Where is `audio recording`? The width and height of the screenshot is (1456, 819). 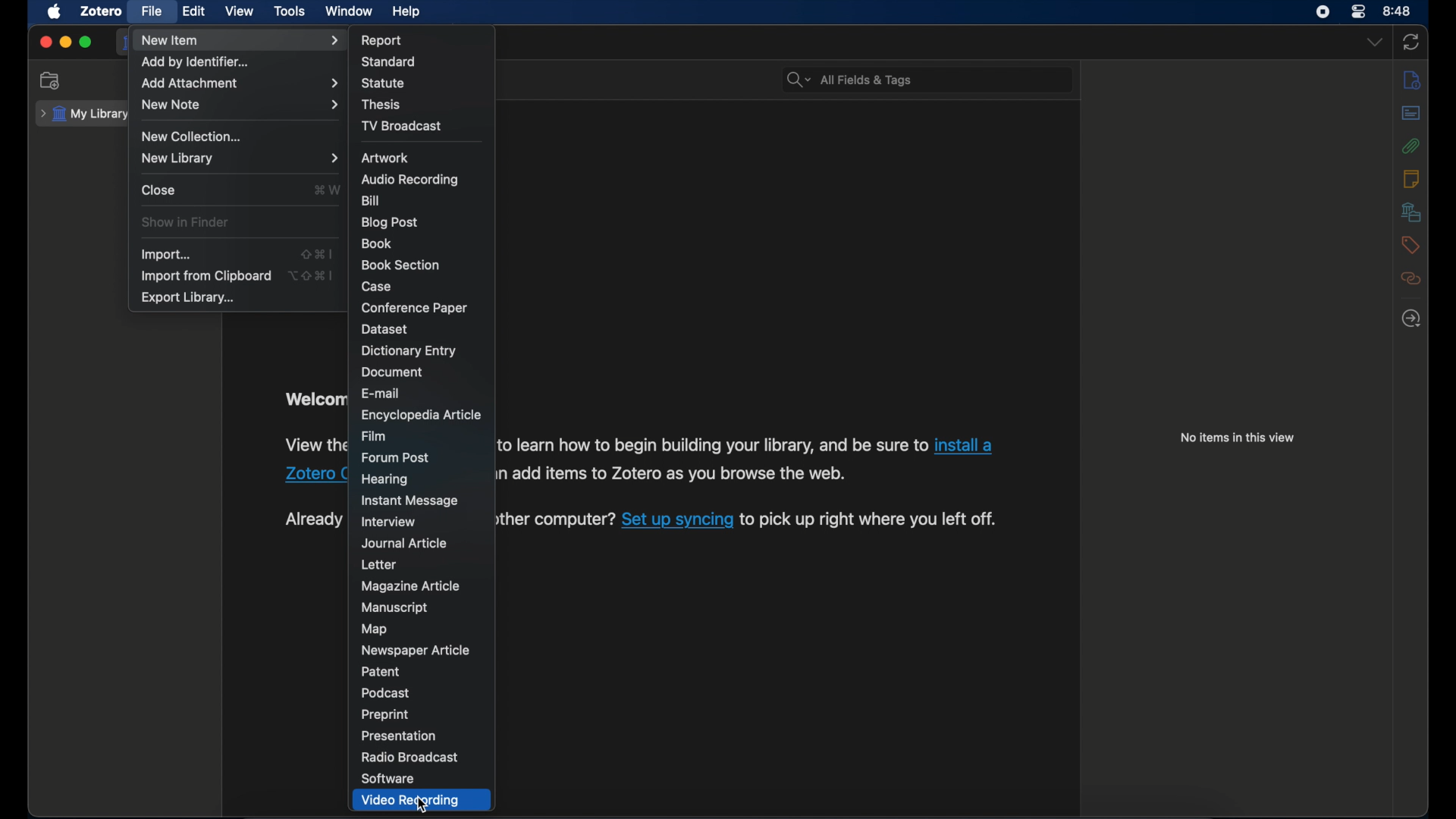 audio recording is located at coordinates (409, 180).